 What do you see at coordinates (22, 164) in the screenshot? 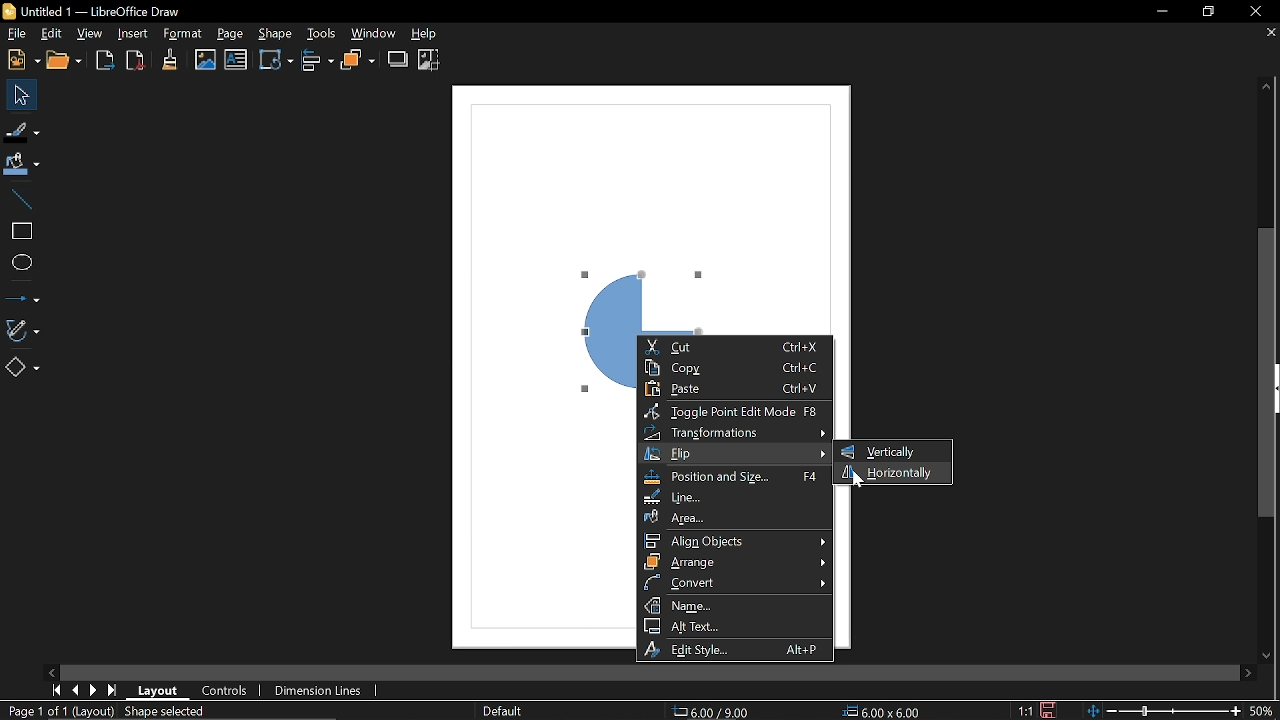
I see `Fill color` at bounding box center [22, 164].